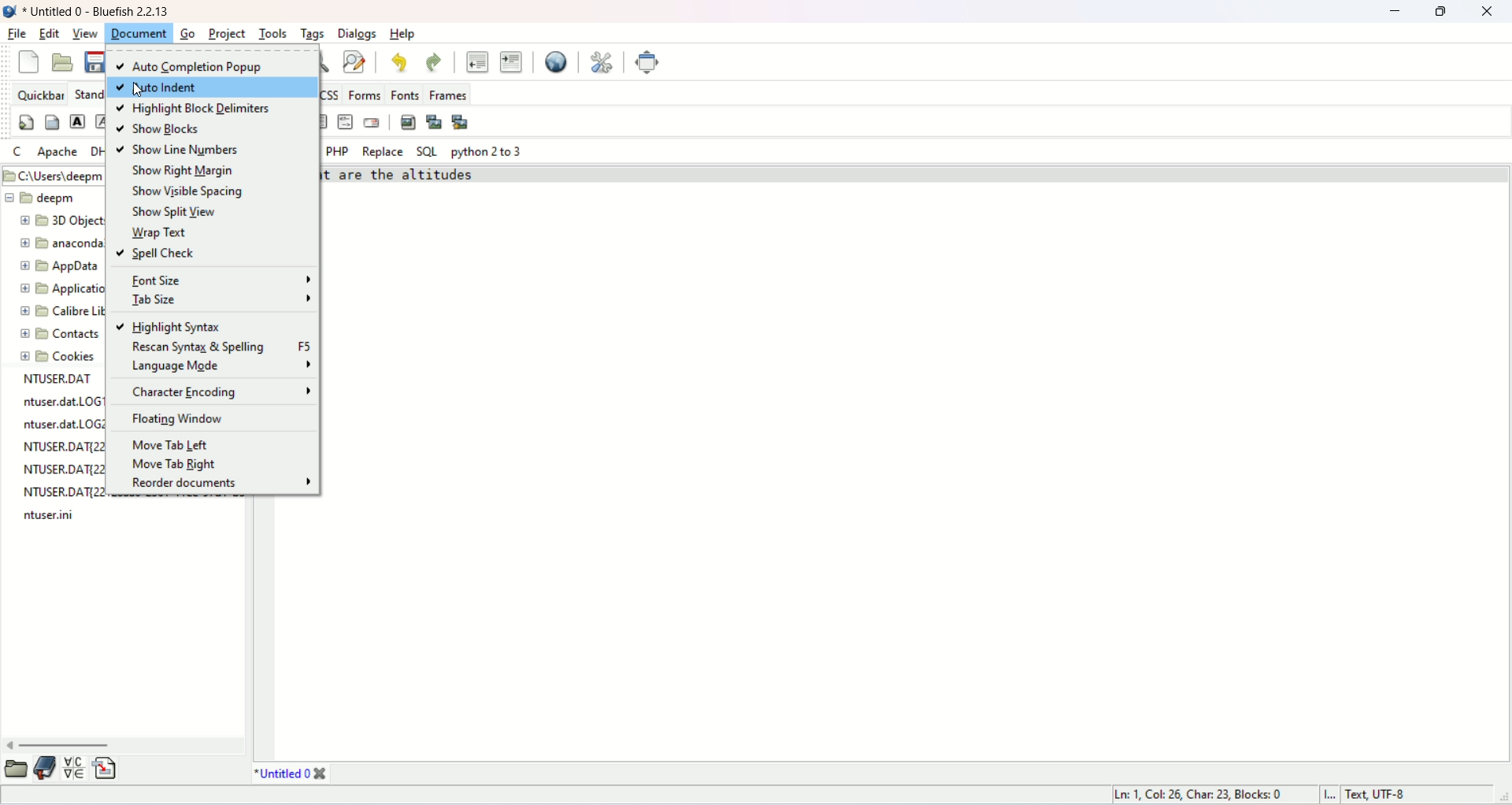 The image size is (1512, 805). What do you see at coordinates (158, 129) in the screenshot?
I see `show blocks` at bounding box center [158, 129].